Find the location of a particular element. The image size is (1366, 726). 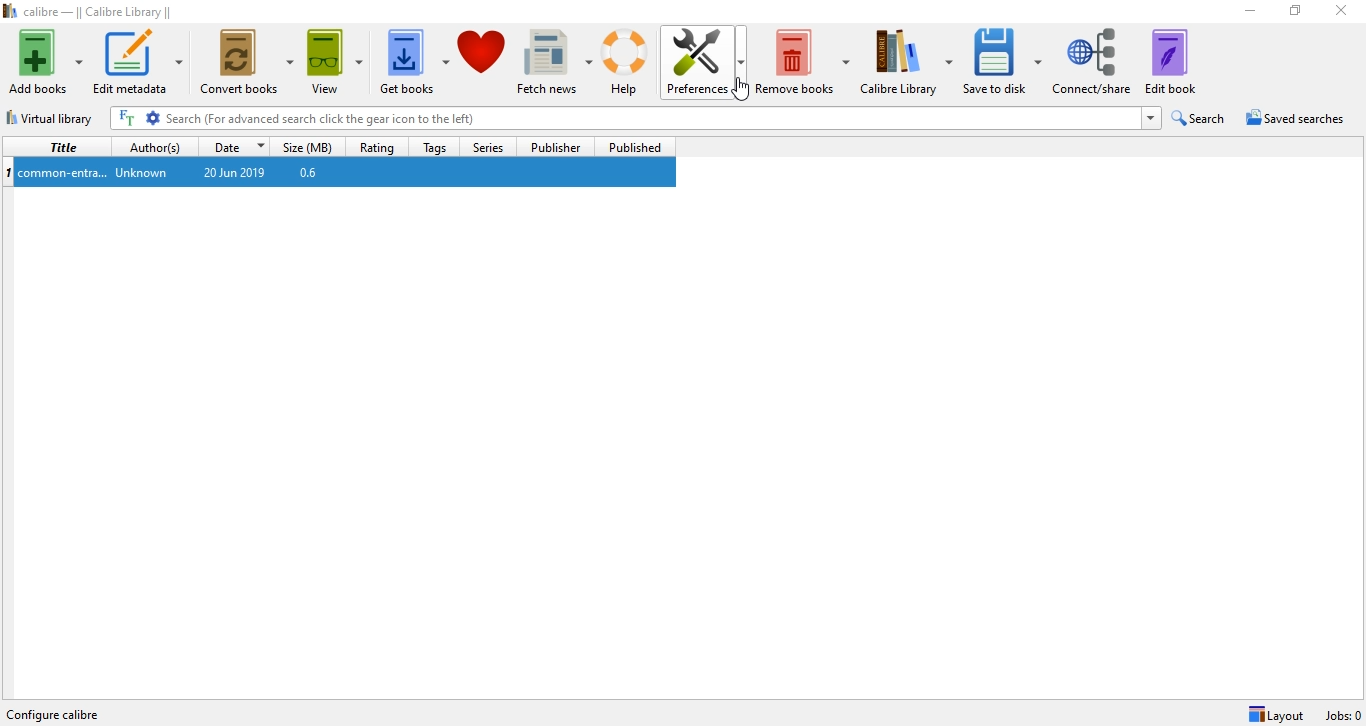

Edit book is located at coordinates (1180, 61).